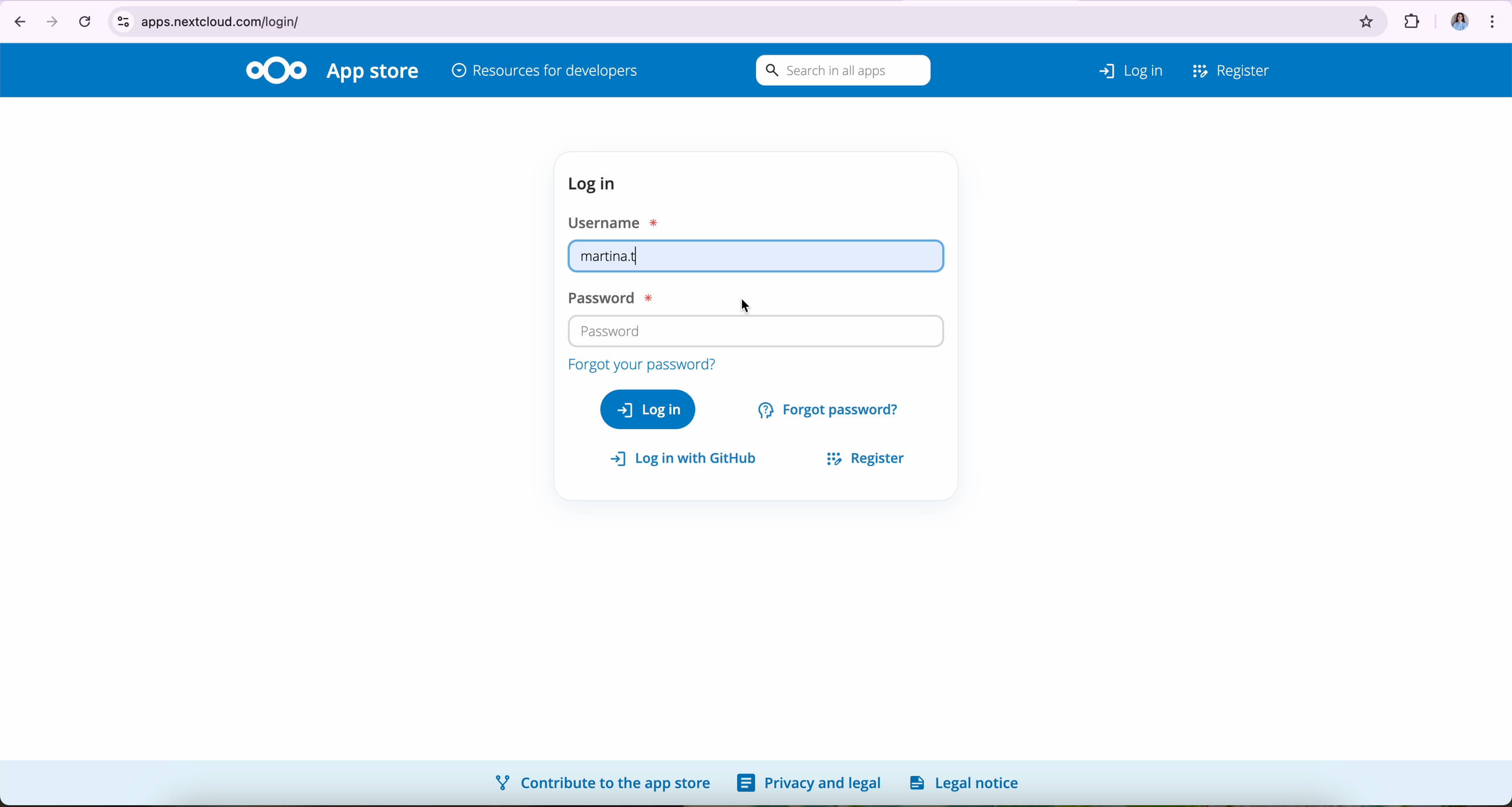 The height and width of the screenshot is (807, 1512). I want to click on apps.nextcloud.com, so click(724, 19).